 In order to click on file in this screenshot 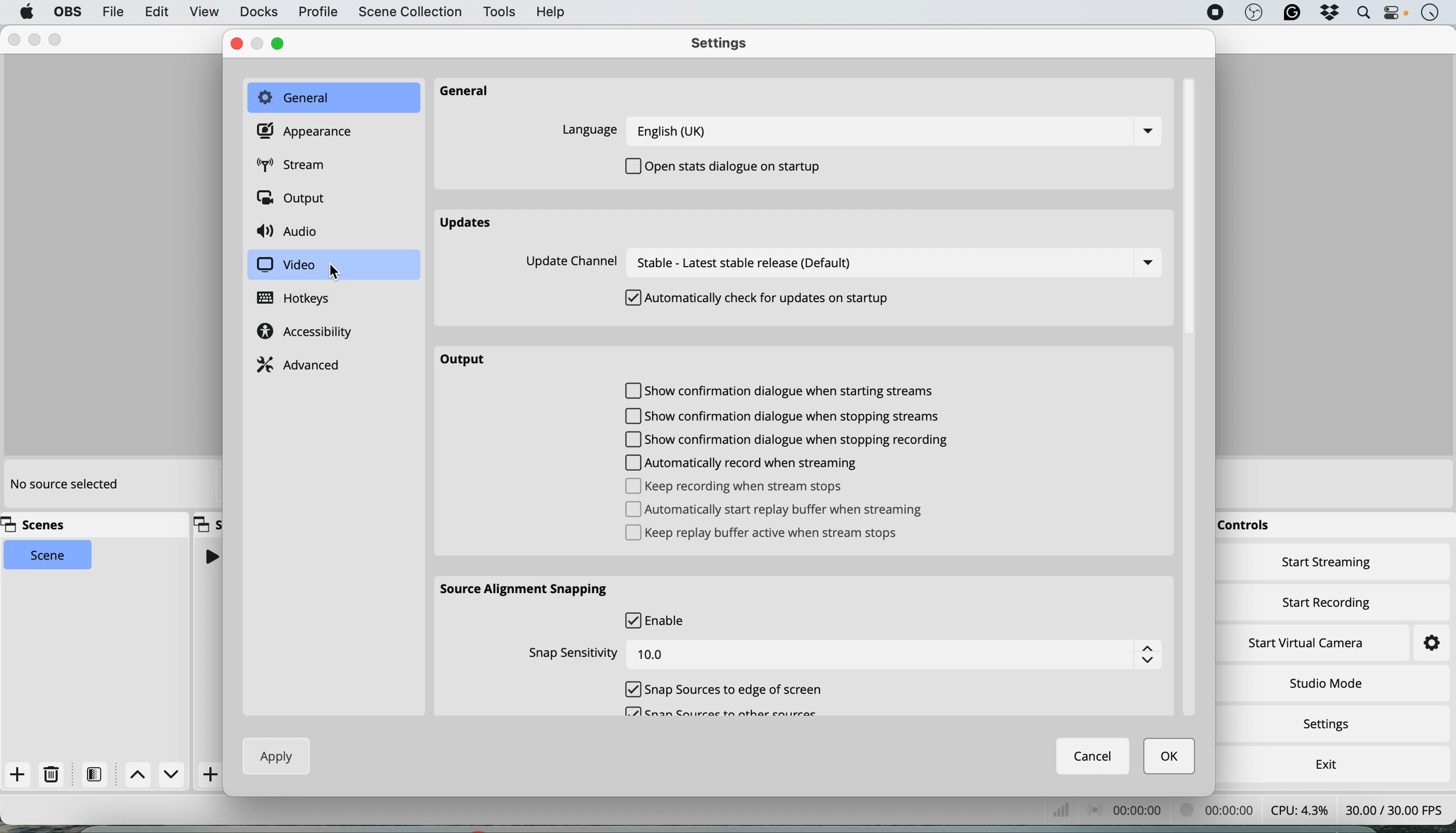, I will do `click(112, 11)`.